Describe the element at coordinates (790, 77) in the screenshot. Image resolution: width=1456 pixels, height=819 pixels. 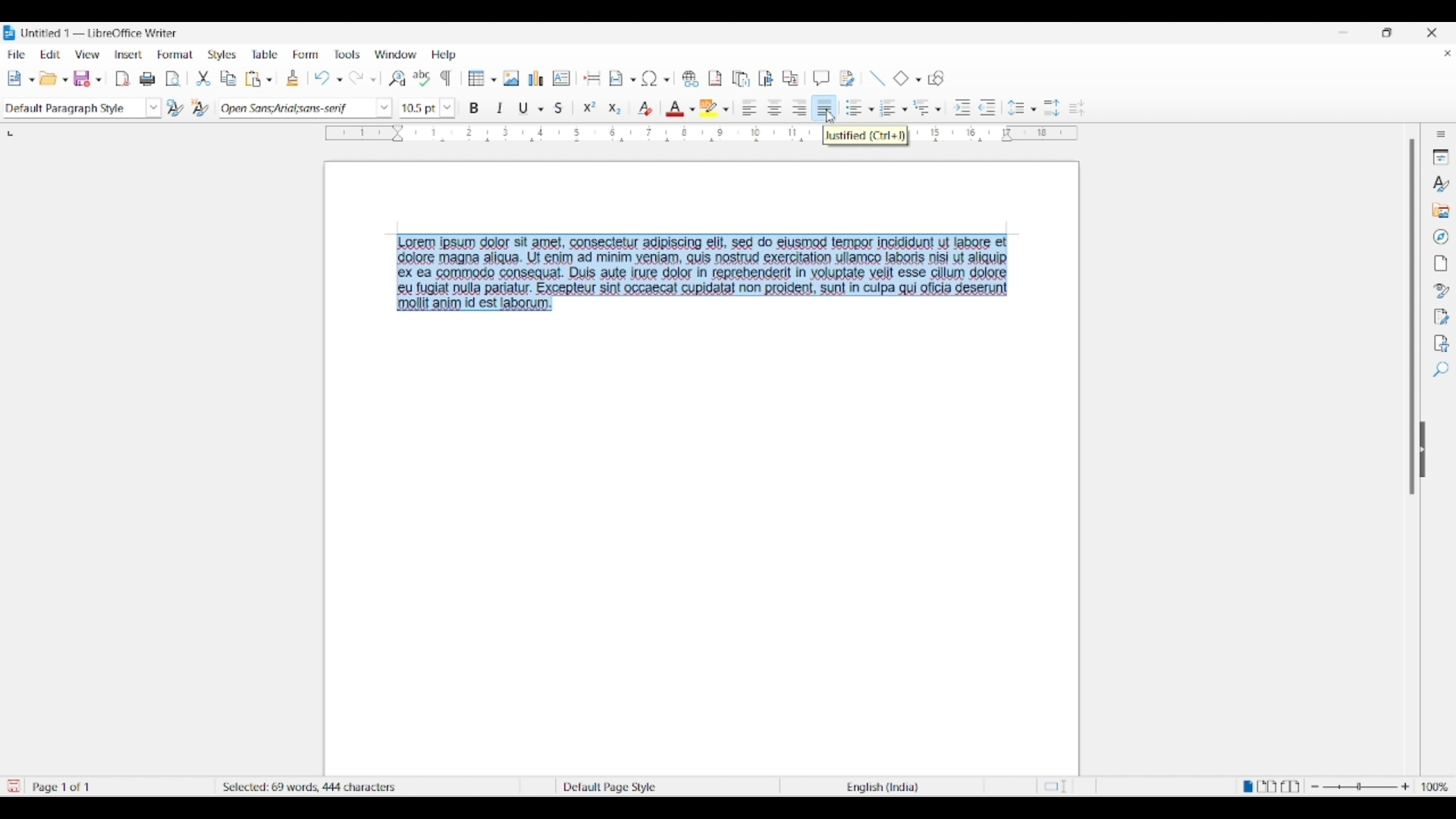
I see `Insert cross reference` at that location.